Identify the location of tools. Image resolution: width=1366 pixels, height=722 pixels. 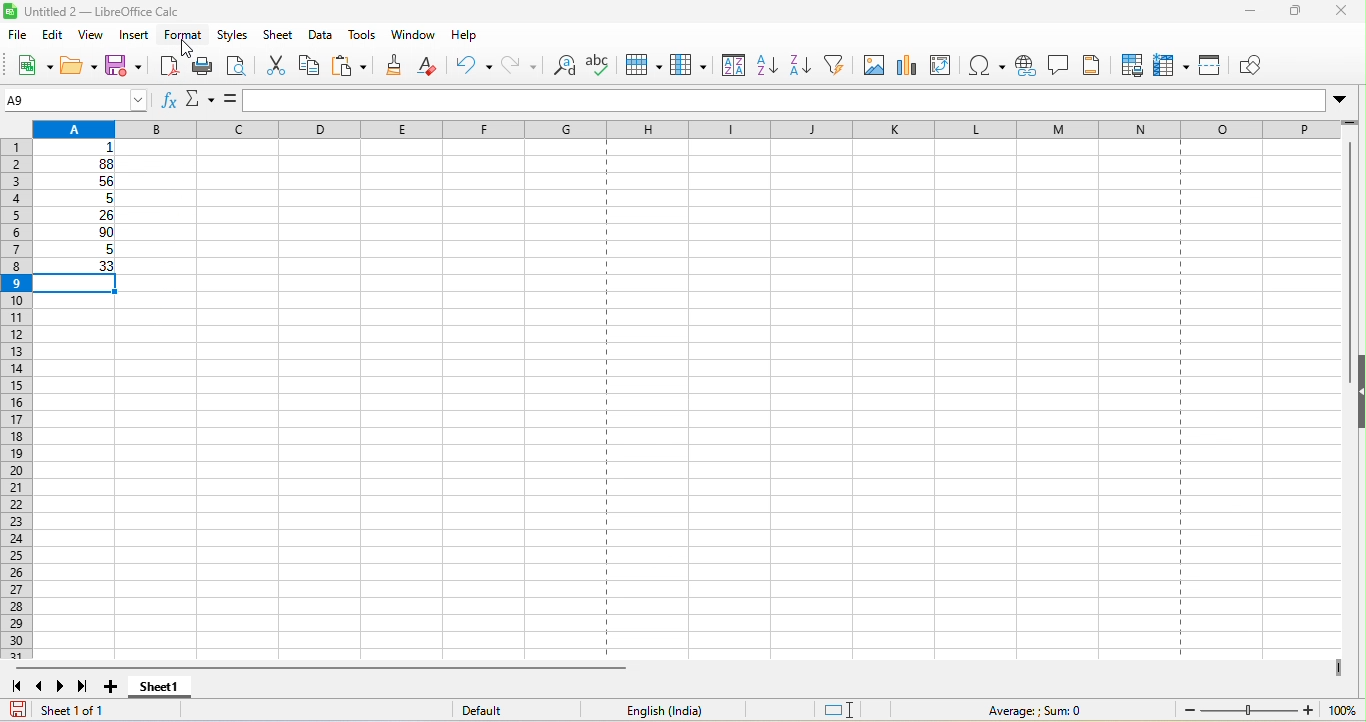
(363, 36).